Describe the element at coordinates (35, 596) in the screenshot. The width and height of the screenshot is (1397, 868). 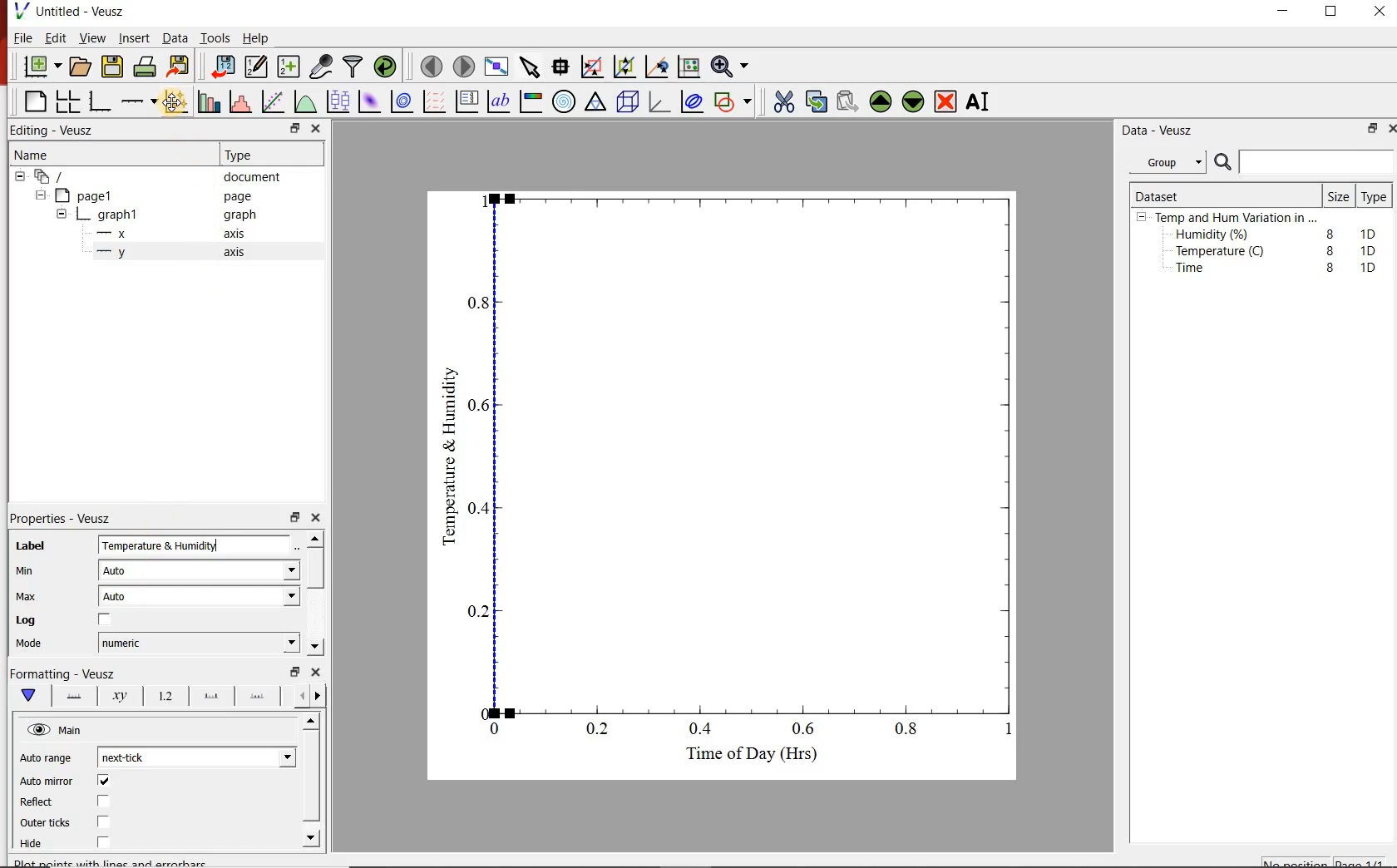
I see `Max` at that location.